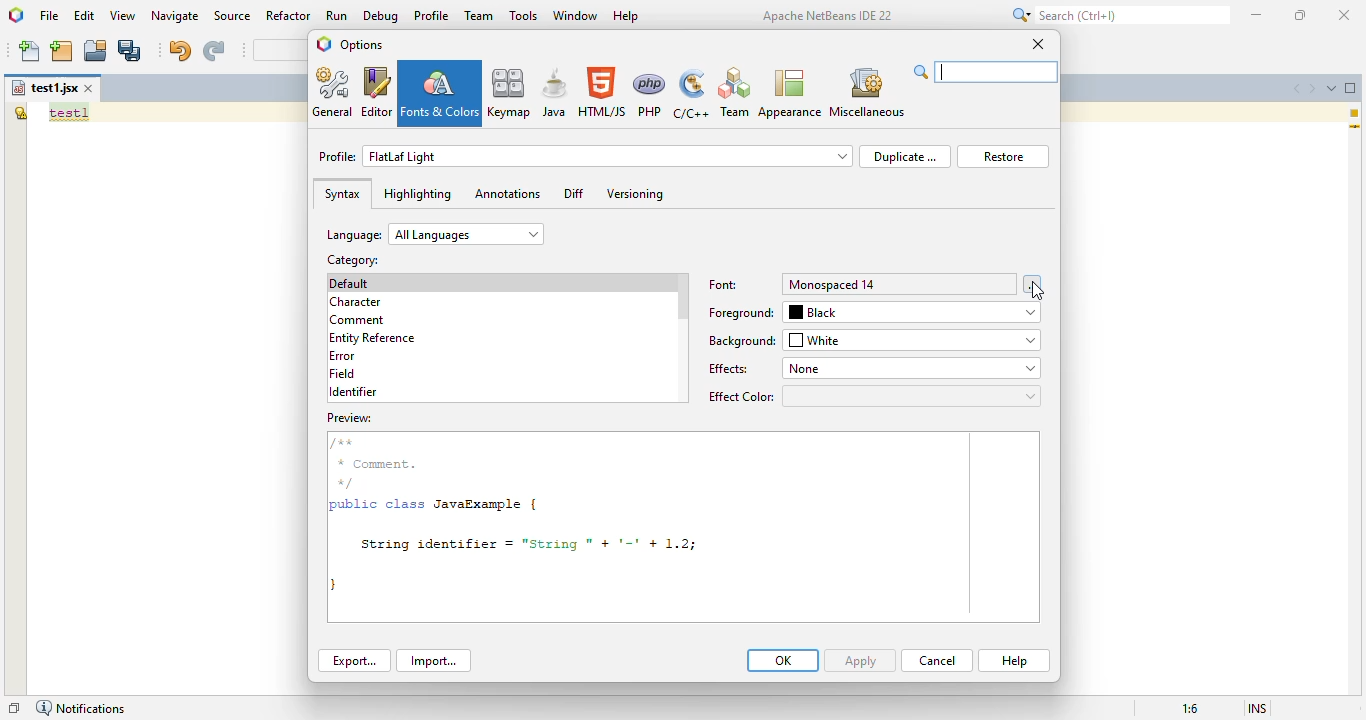 Image resolution: width=1366 pixels, height=720 pixels. What do you see at coordinates (526, 545) in the screenshot?
I see `String identifier = "String " + '-' + 1.2;` at bounding box center [526, 545].